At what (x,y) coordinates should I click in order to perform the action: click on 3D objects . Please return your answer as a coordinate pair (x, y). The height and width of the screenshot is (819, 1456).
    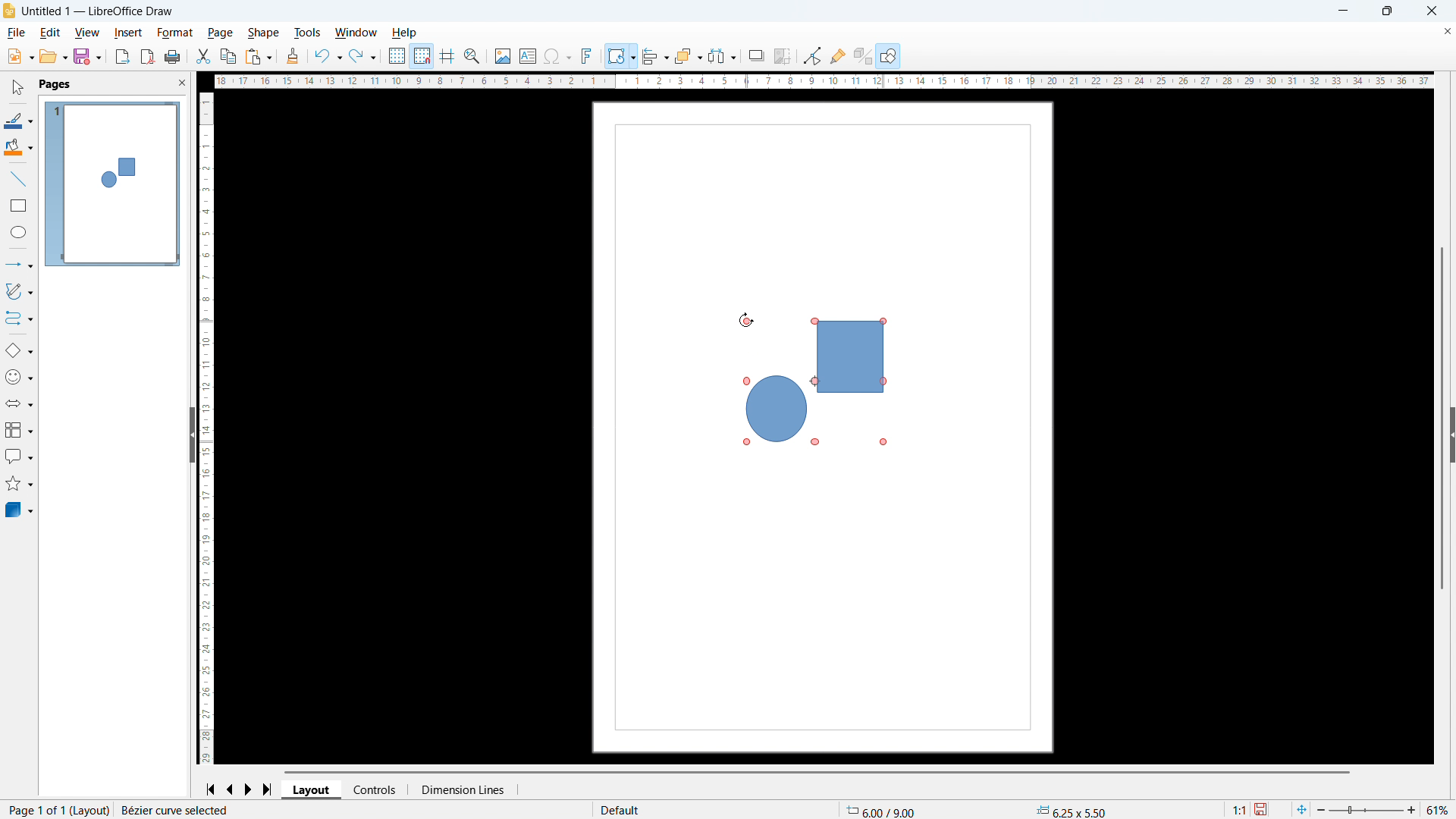
    Looking at the image, I should click on (20, 510).